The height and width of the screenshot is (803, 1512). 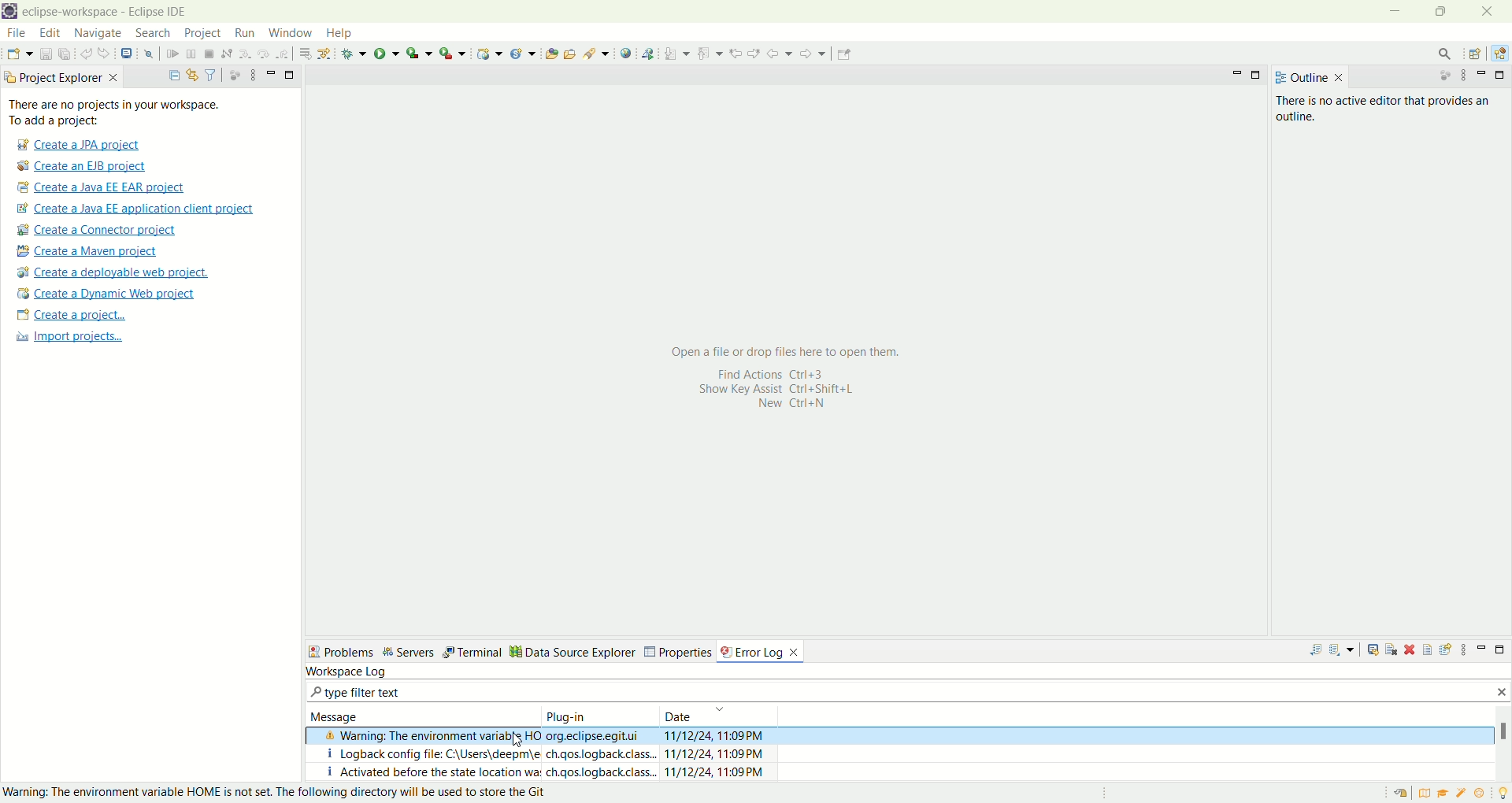 What do you see at coordinates (424, 651) in the screenshot?
I see `servers` at bounding box center [424, 651].